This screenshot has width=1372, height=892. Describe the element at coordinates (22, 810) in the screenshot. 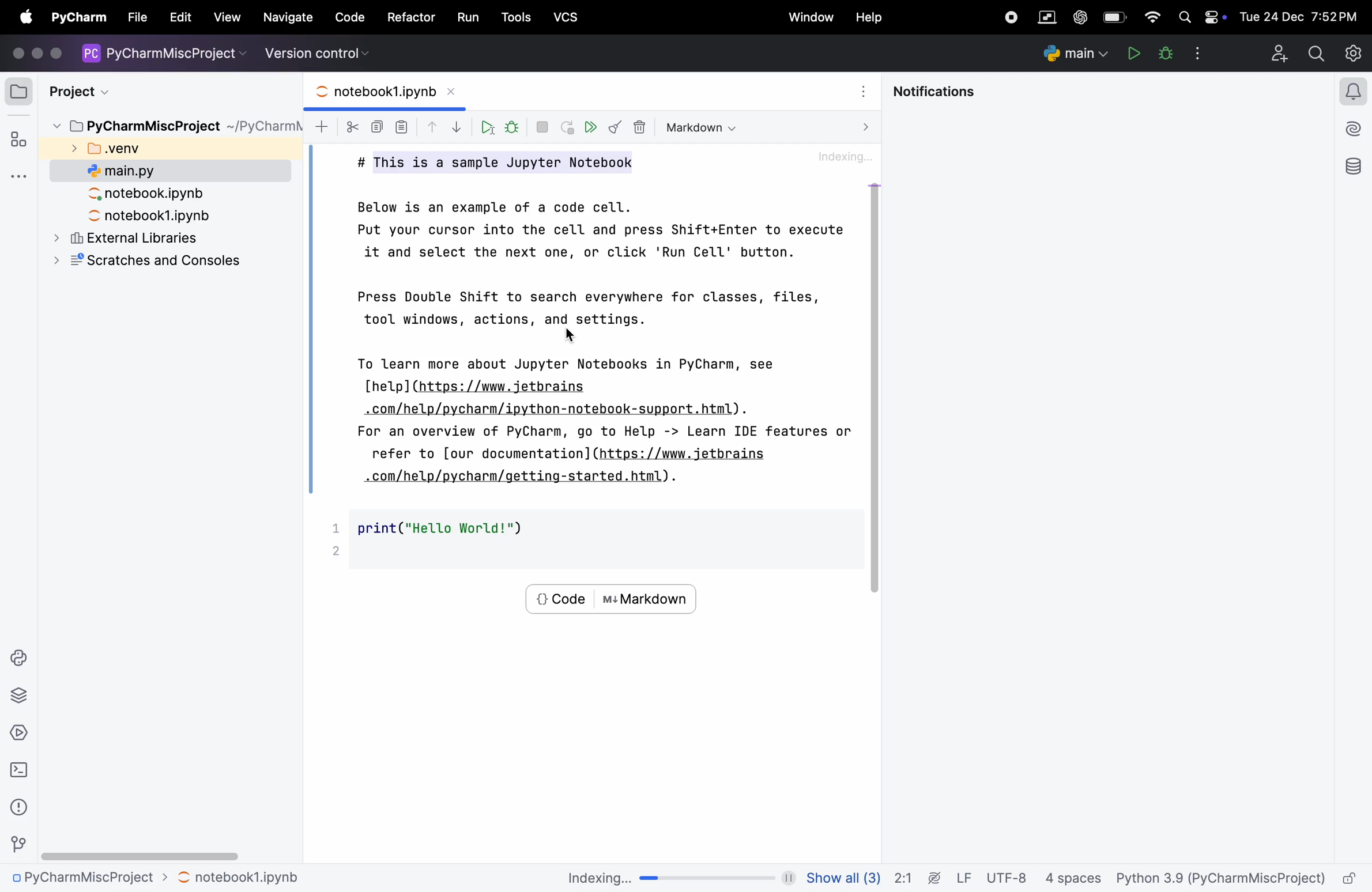

I see `info` at that location.